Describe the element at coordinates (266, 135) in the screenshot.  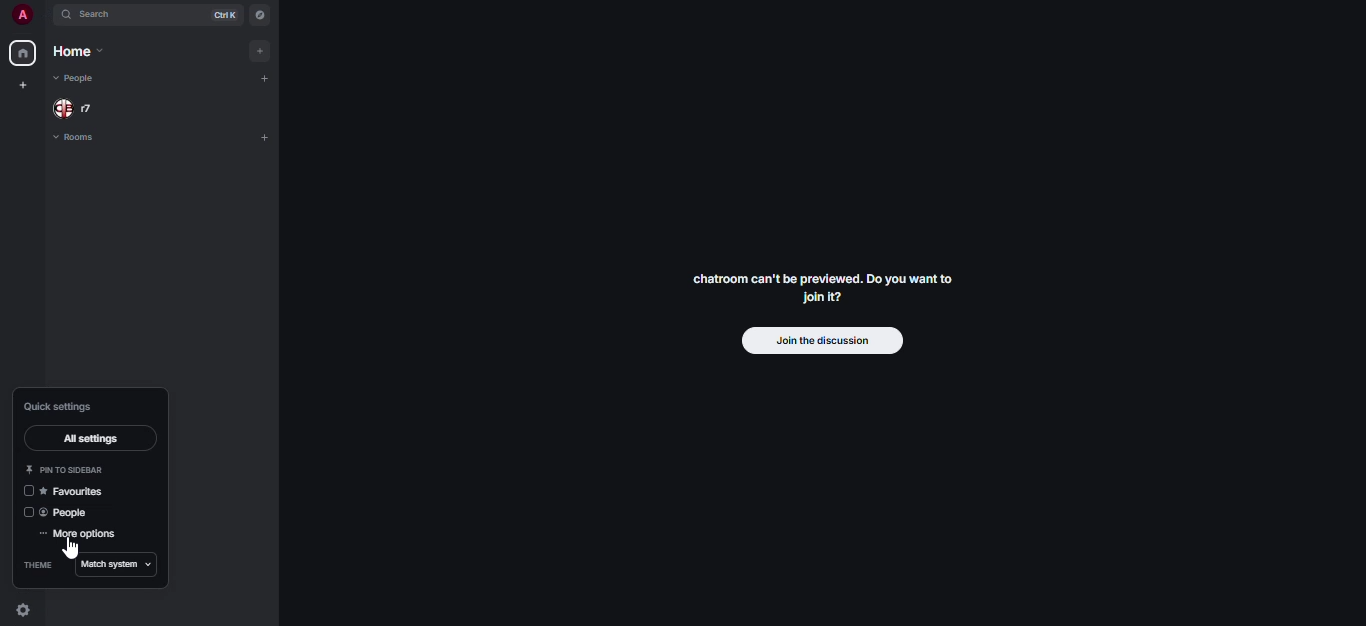
I see `add` at that location.